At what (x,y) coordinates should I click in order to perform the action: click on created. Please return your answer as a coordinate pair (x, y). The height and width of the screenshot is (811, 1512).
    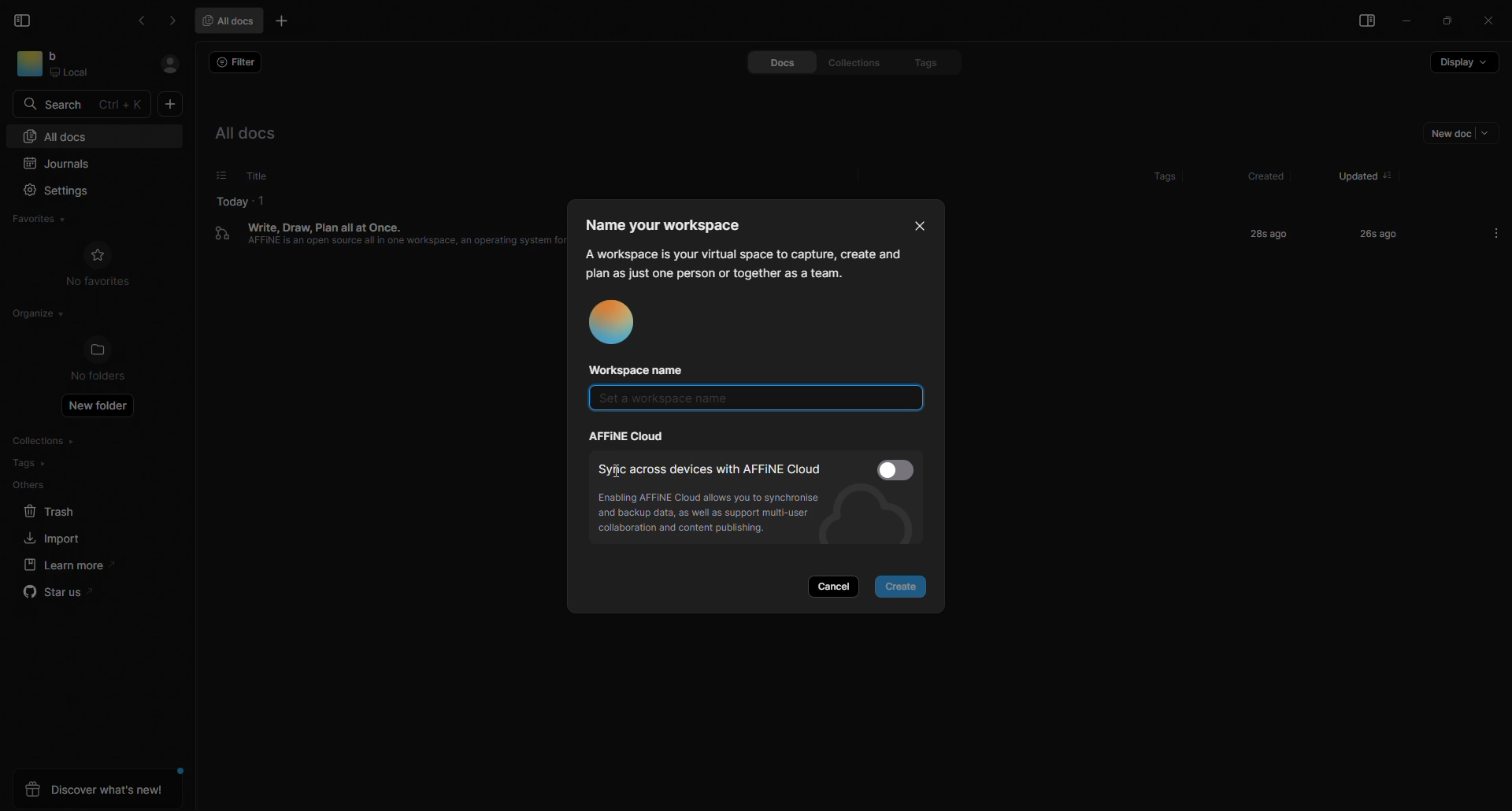
    Looking at the image, I should click on (1262, 176).